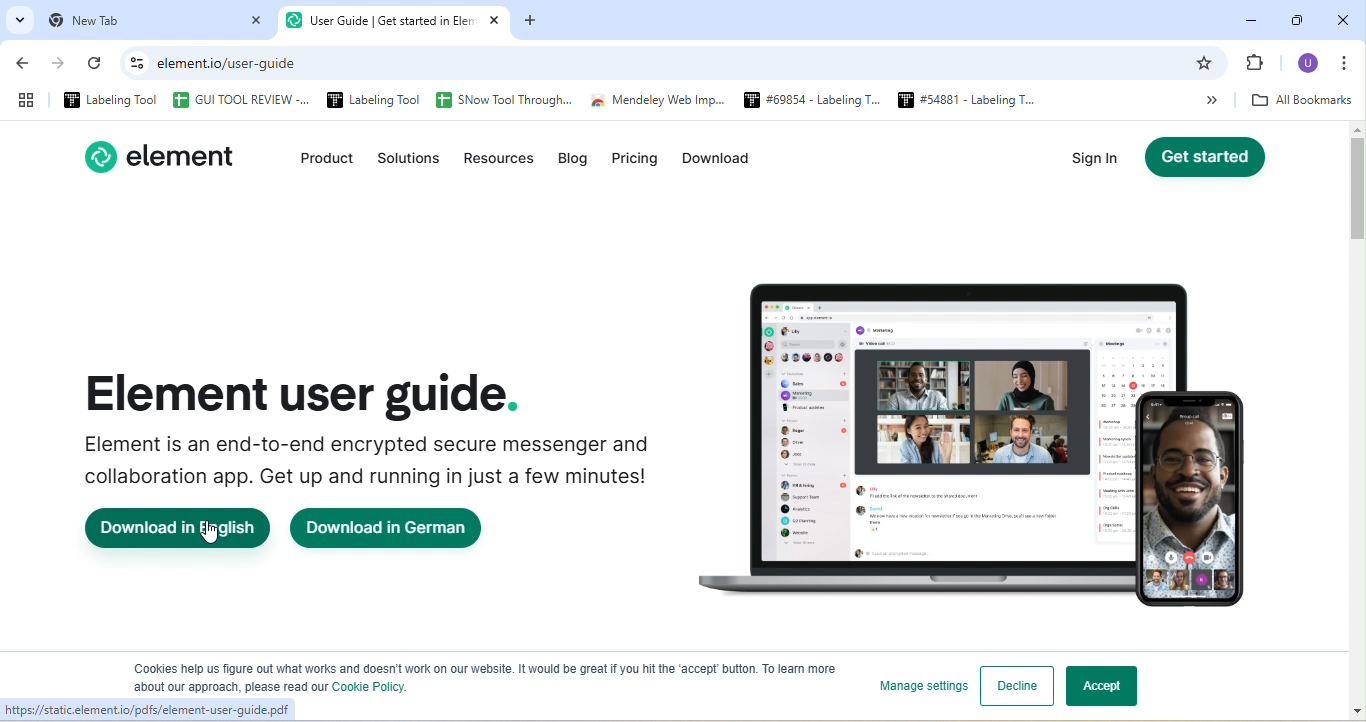 The image size is (1366, 722). Describe the element at coordinates (394, 23) in the screenshot. I see `user guide | Get Started in Ele..` at that location.